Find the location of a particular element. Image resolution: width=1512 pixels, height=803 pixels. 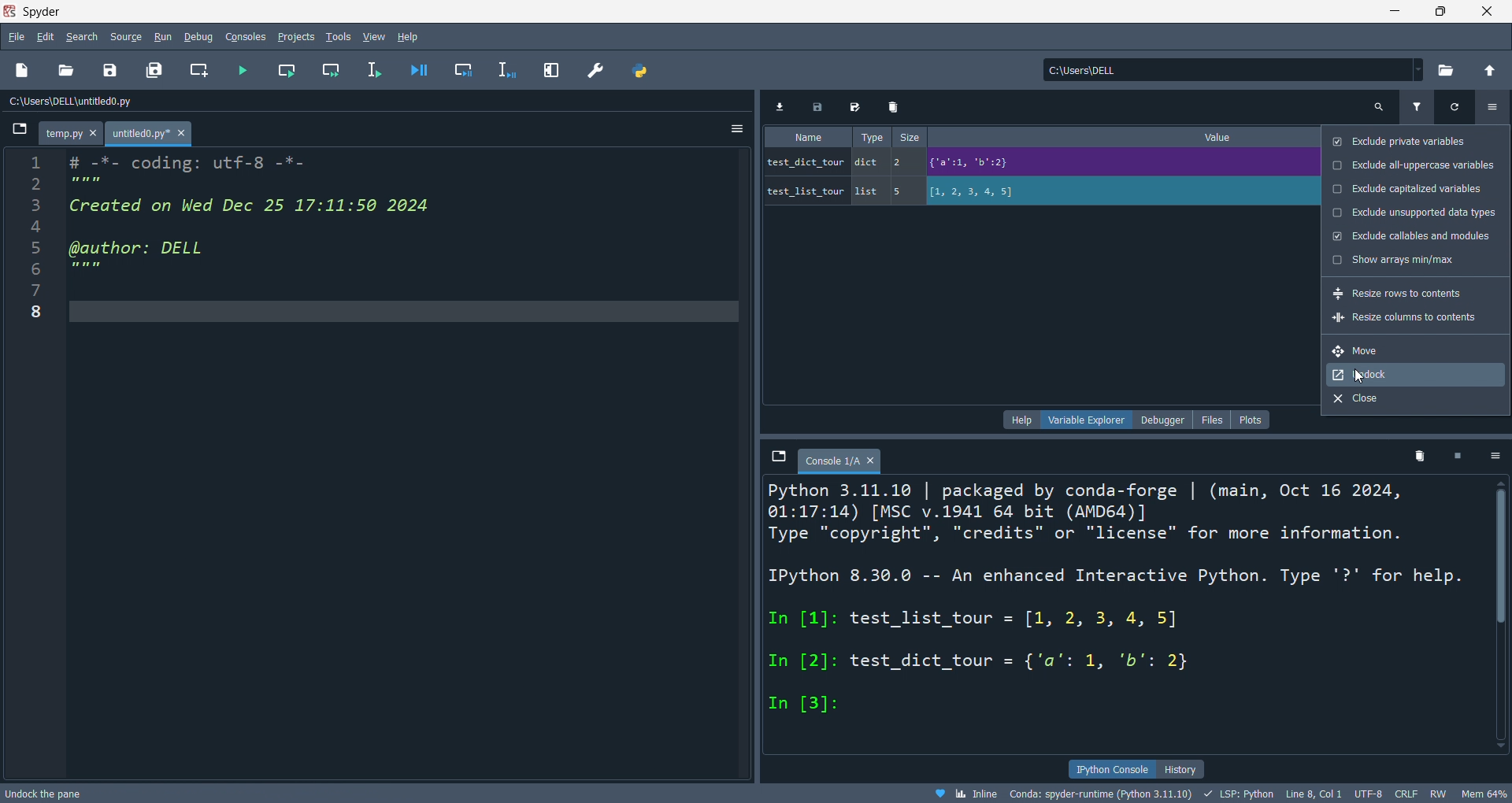

move is located at coordinates (1401, 349).